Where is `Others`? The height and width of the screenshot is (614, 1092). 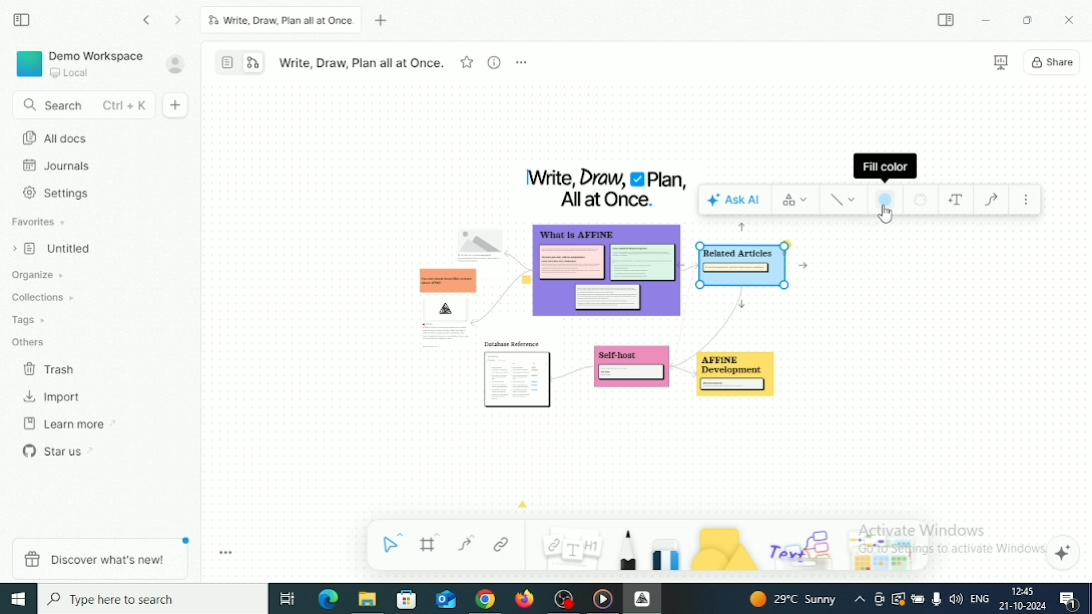
Others is located at coordinates (803, 546).